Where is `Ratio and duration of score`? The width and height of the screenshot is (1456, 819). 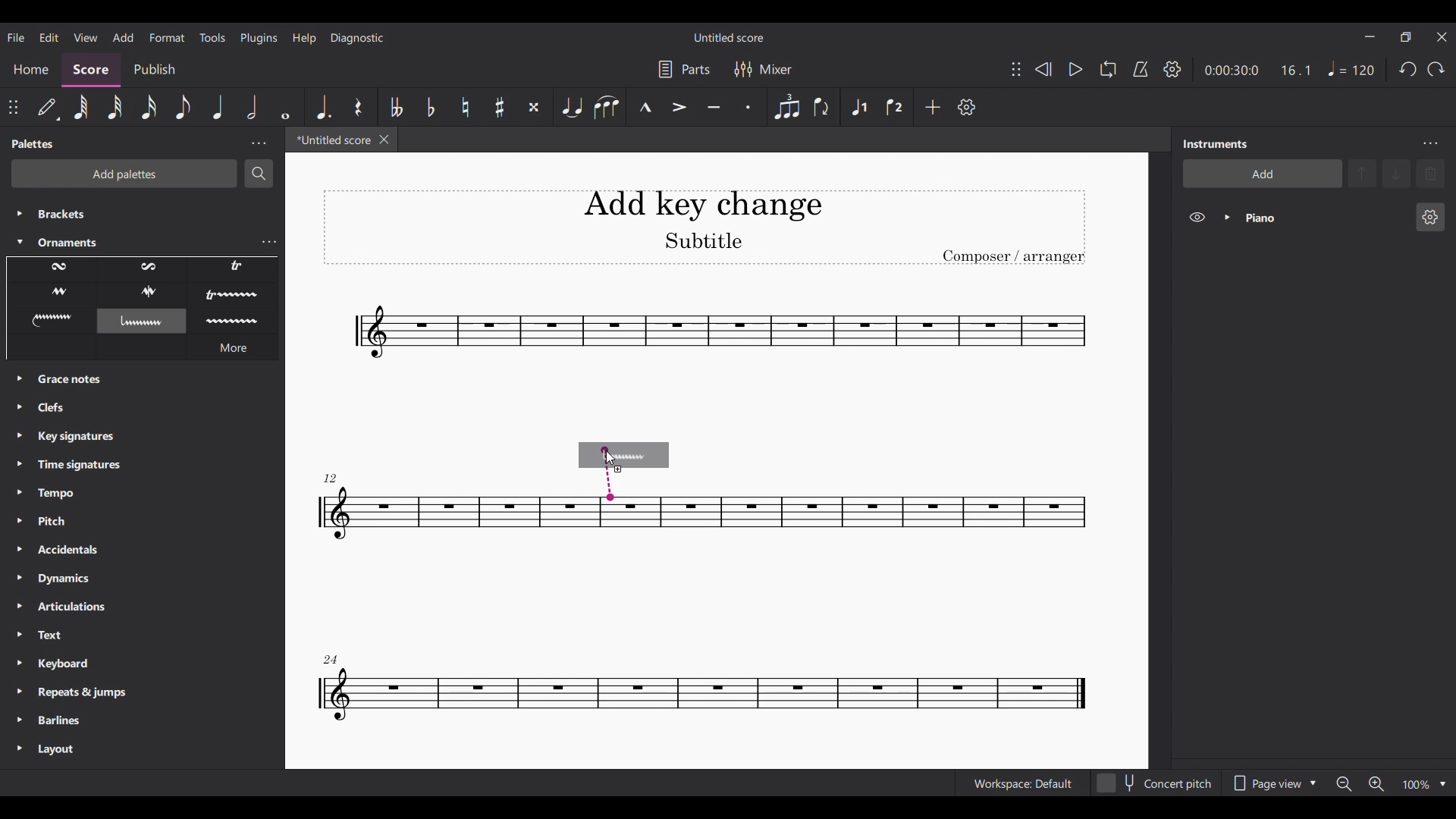 Ratio and duration of score is located at coordinates (1257, 70).